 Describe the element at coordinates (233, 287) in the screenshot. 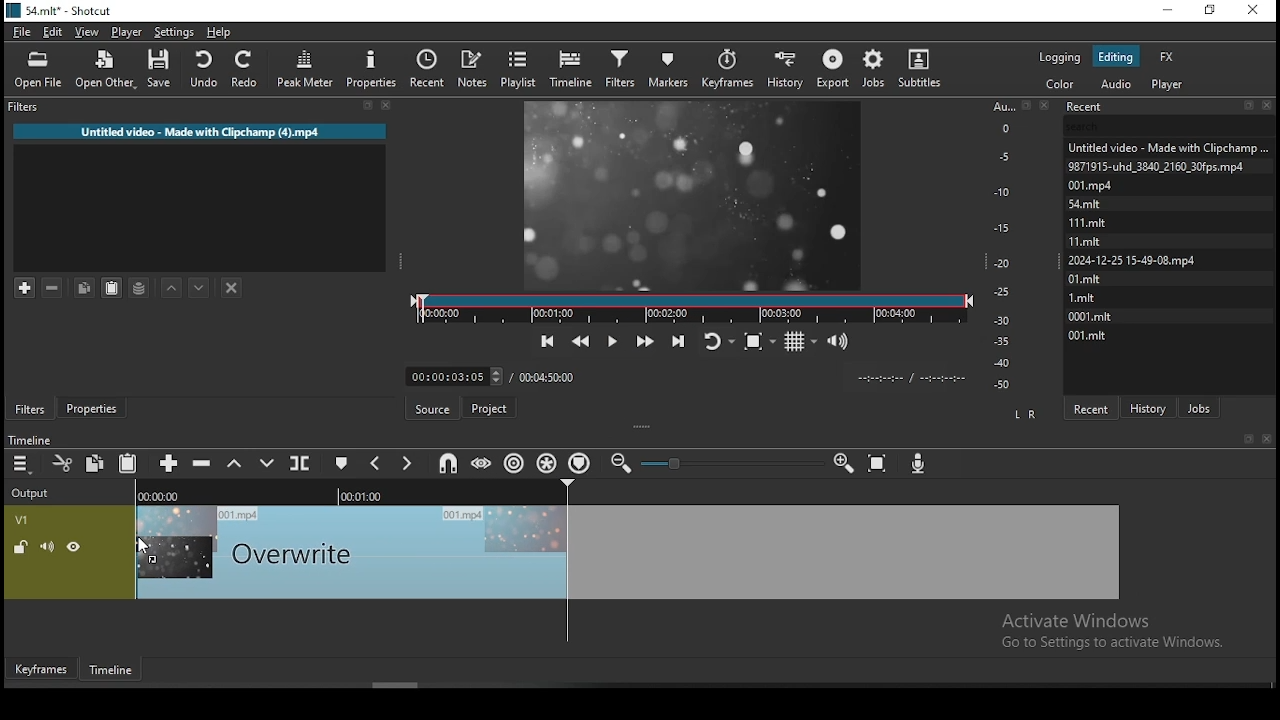

I see `deselect filter` at that location.